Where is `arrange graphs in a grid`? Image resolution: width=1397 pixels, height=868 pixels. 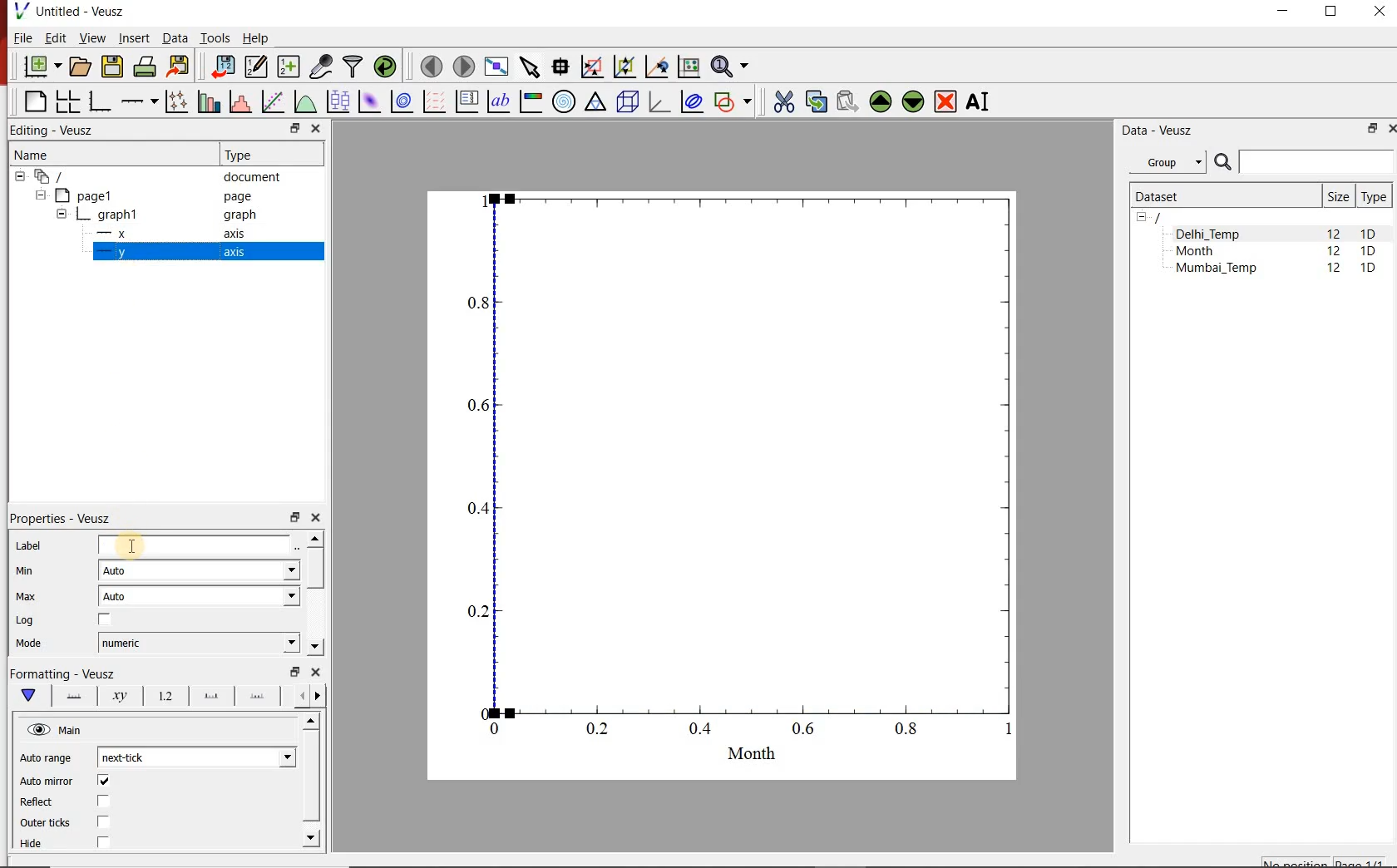 arrange graphs in a grid is located at coordinates (67, 101).